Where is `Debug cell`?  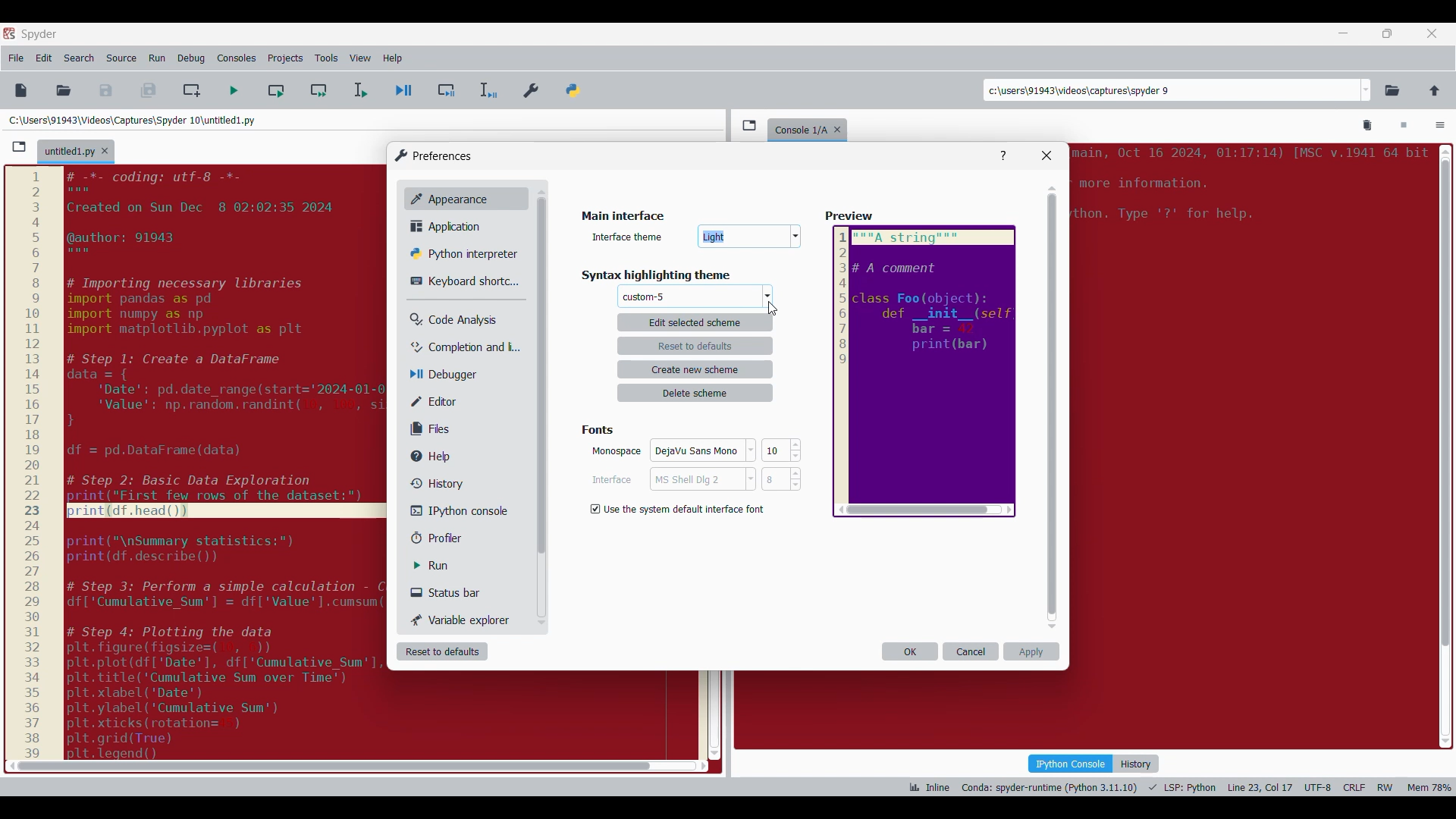 Debug cell is located at coordinates (447, 90).